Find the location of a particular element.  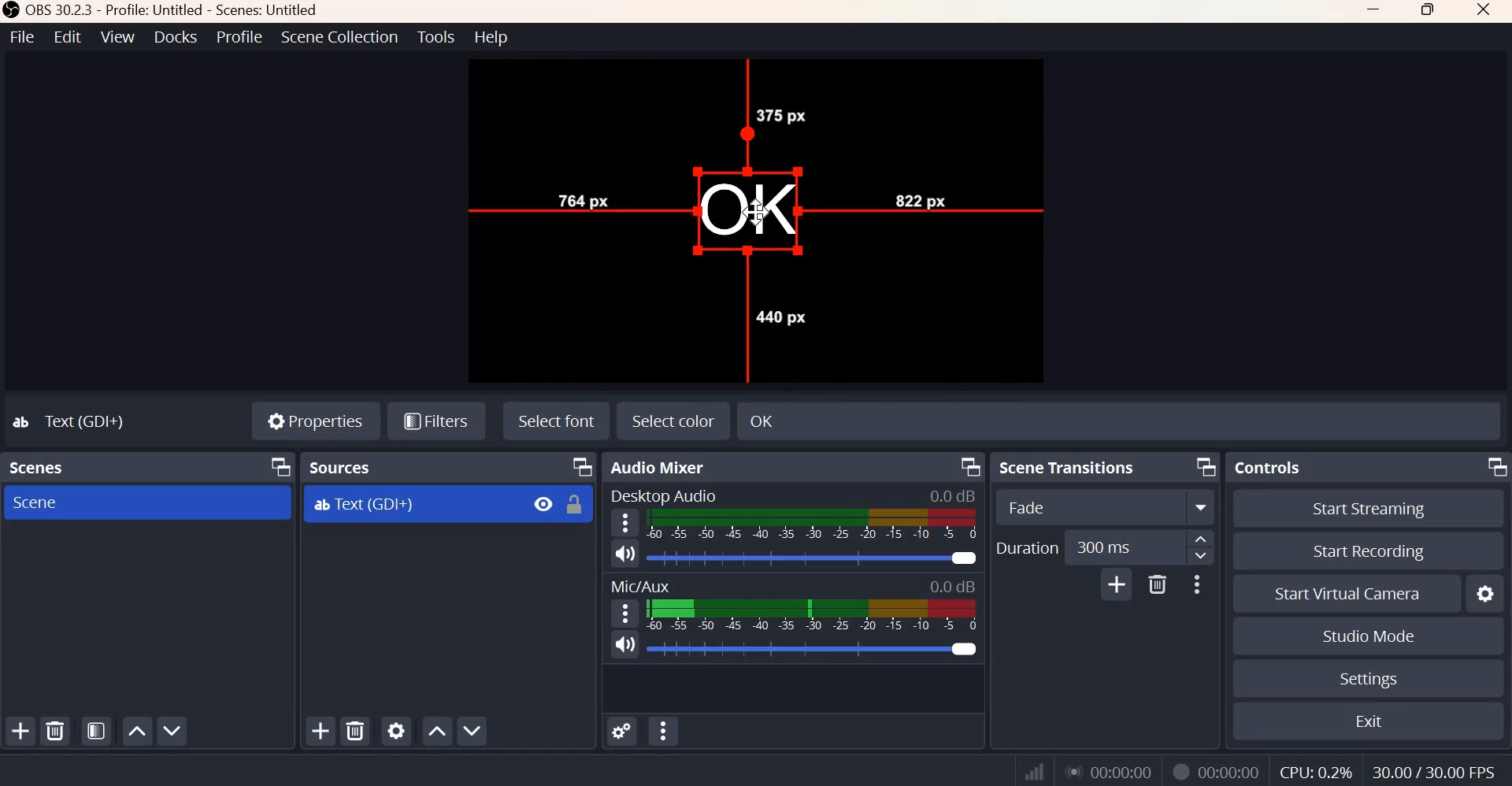

Minimize is located at coordinates (1375, 11).